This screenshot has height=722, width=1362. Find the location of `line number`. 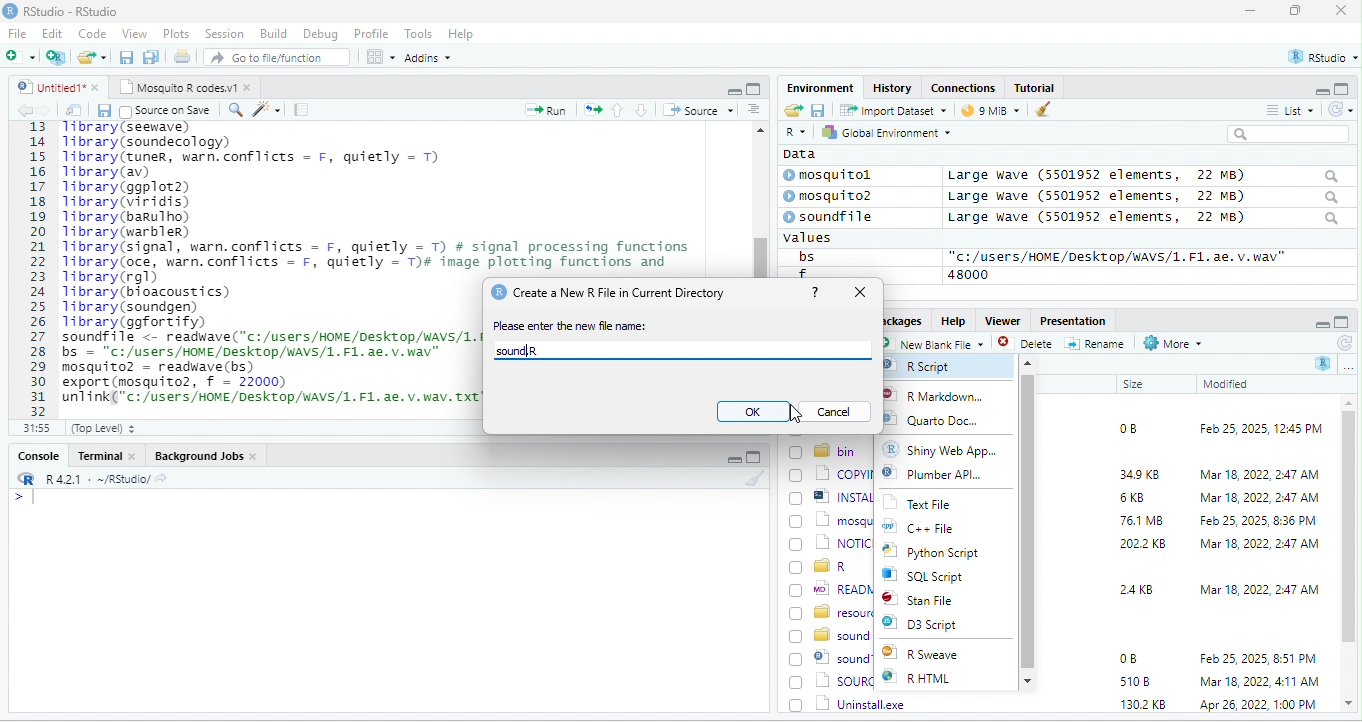

line number is located at coordinates (40, 268).